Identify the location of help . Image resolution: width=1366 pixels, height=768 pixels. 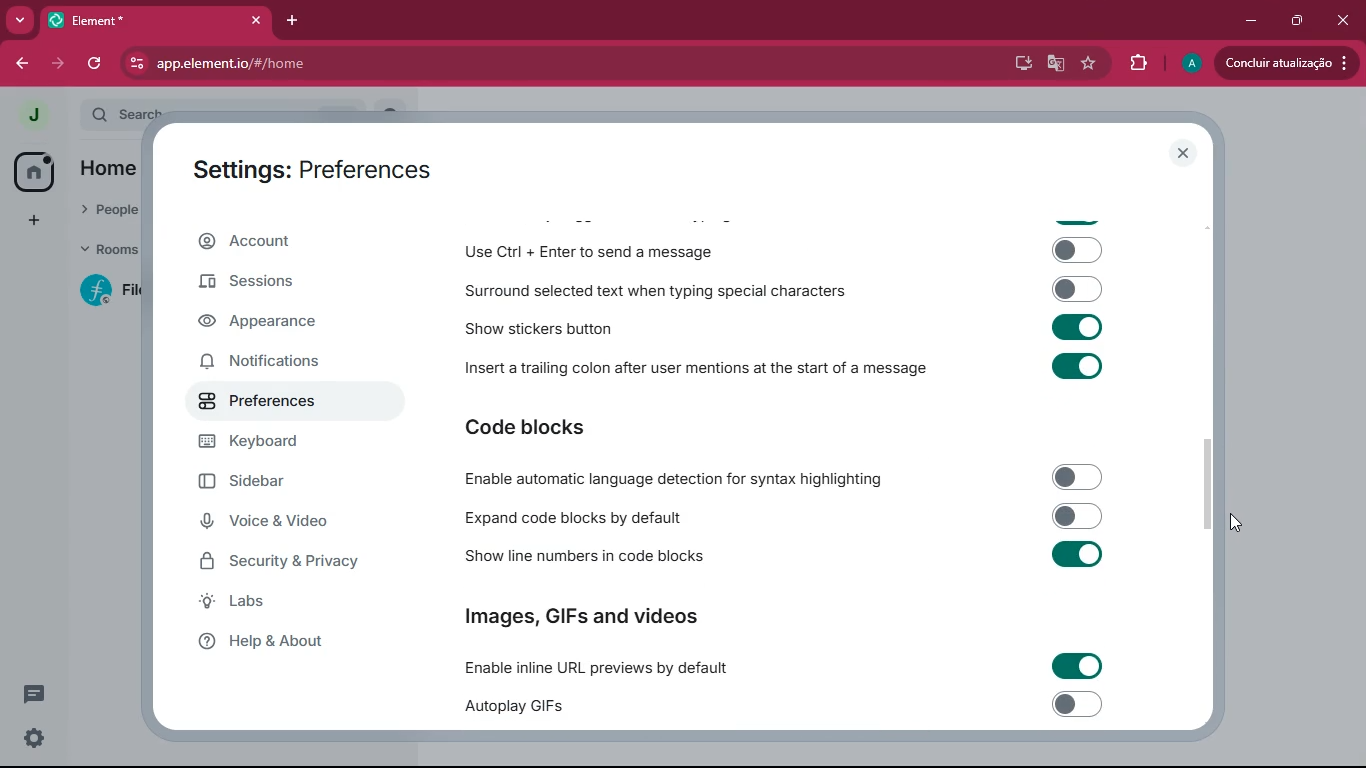
(283, 642).